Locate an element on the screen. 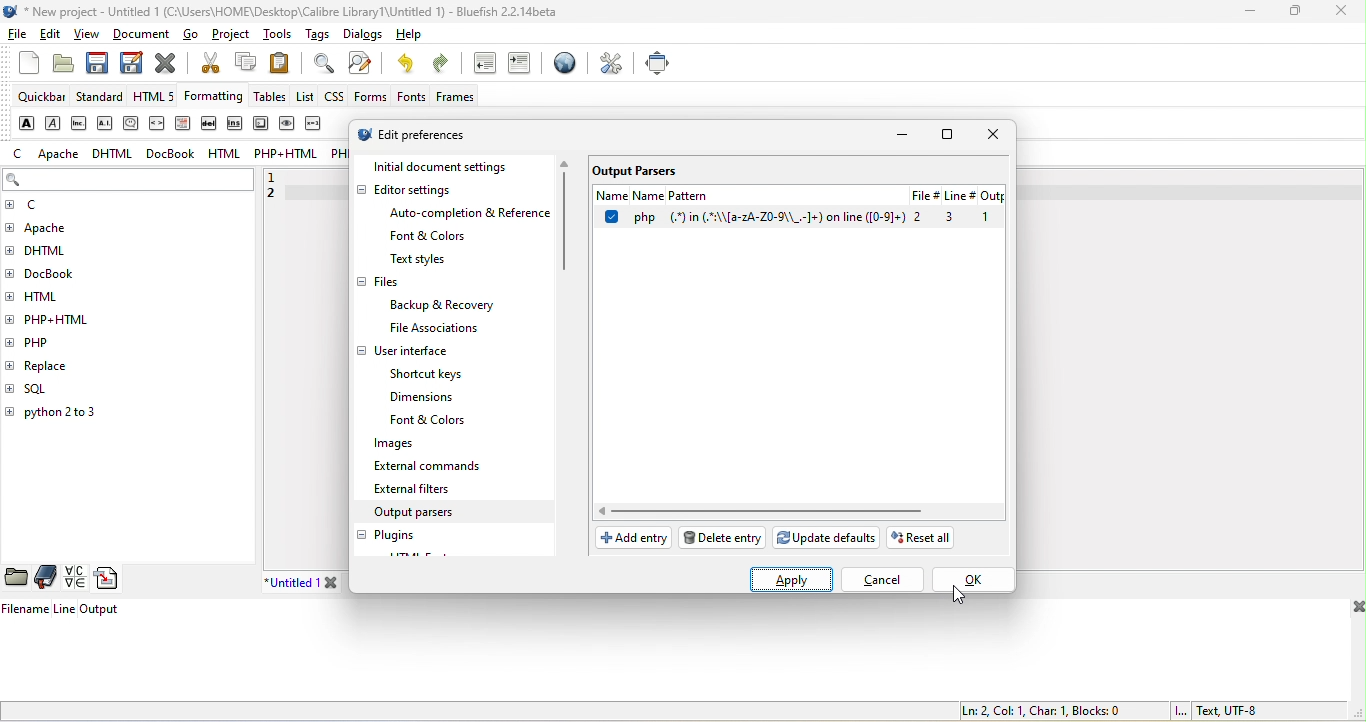 The width and height of the screenshot is (1366, 722). output parsers is located at coordinates (637, 169).